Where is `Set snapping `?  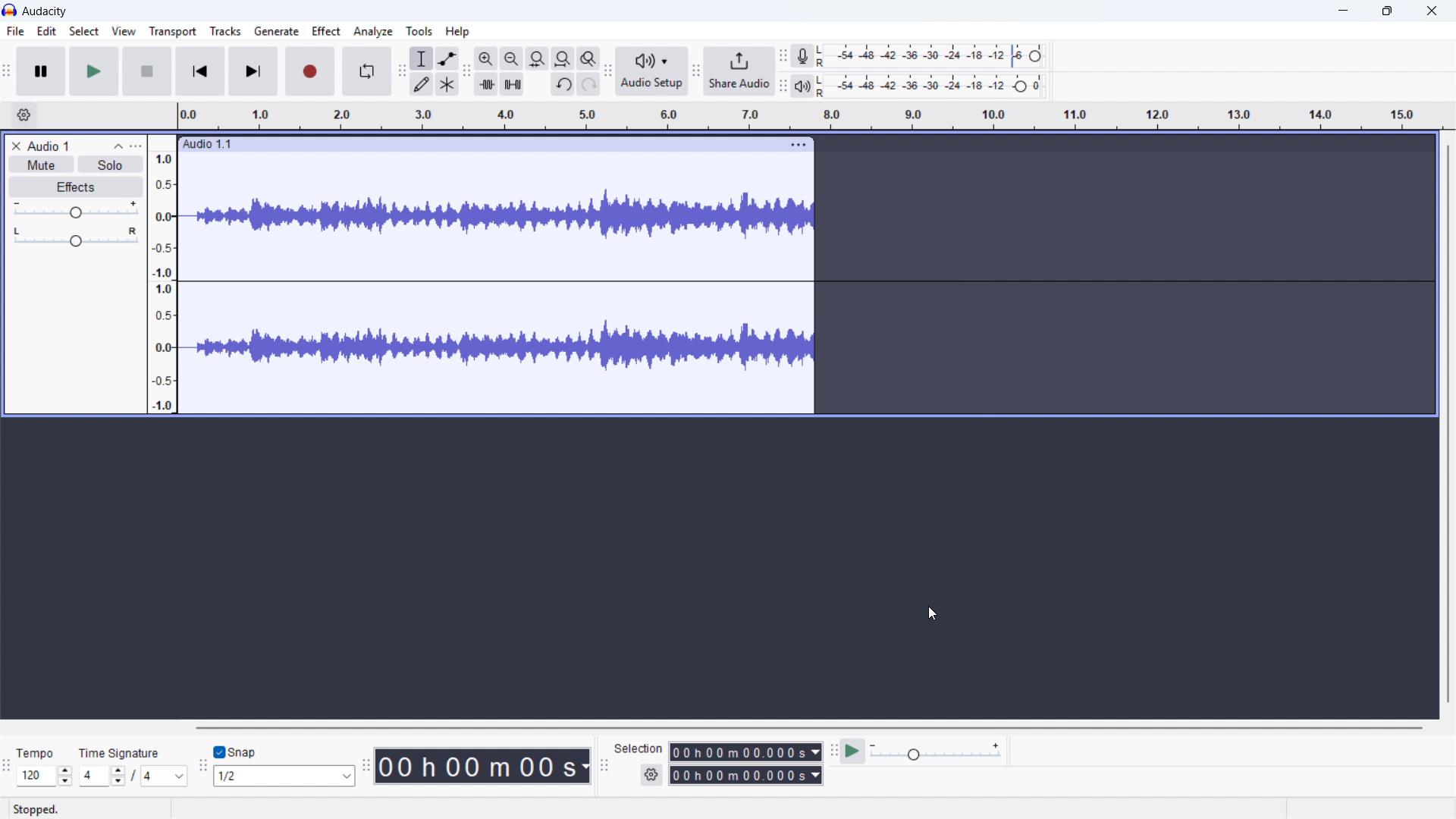
Set snapping  is located at coordinates (284, 776).